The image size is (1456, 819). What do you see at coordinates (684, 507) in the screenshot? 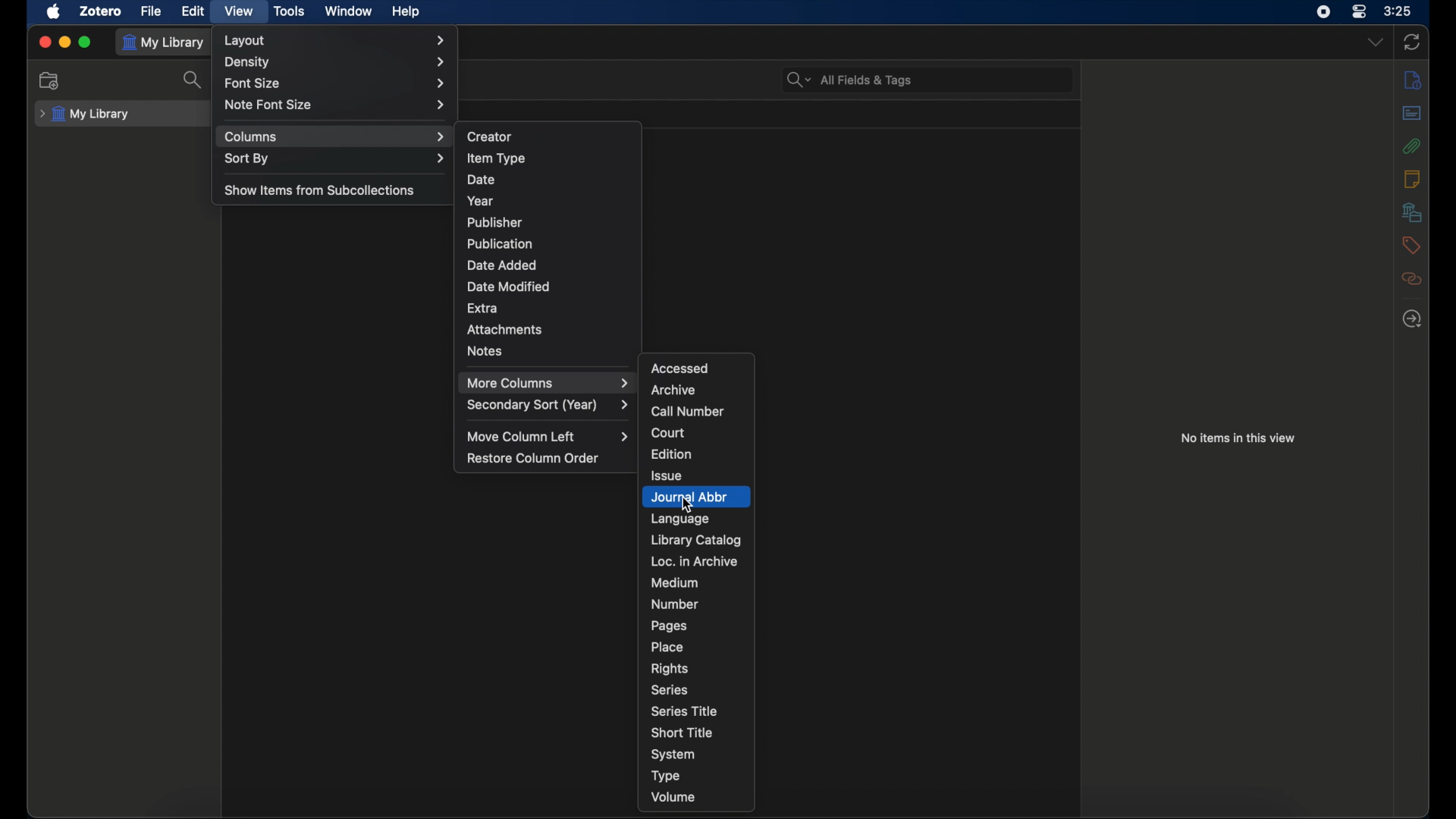
I see `Cursor` at bounding box center [684, 507].